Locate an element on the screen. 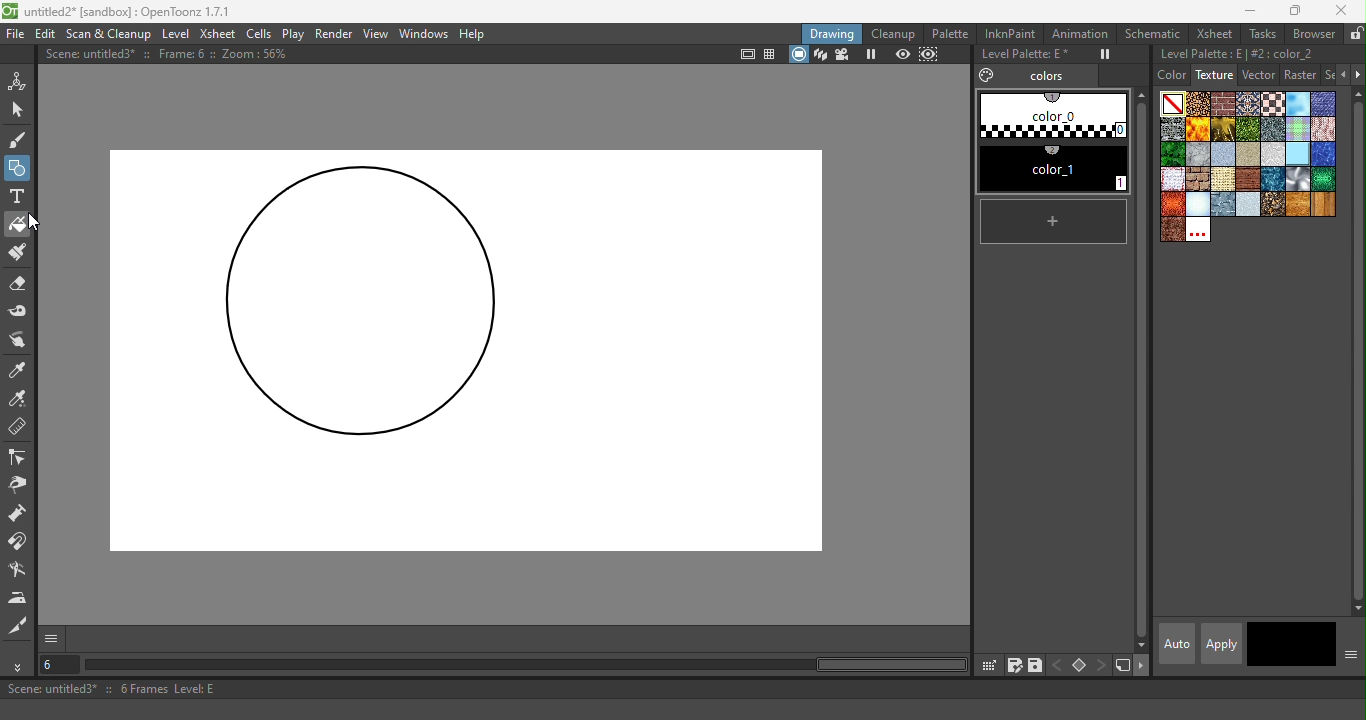 This screenshot has height=720, width=1366. Xsheet is located at coordinates (218, 34).